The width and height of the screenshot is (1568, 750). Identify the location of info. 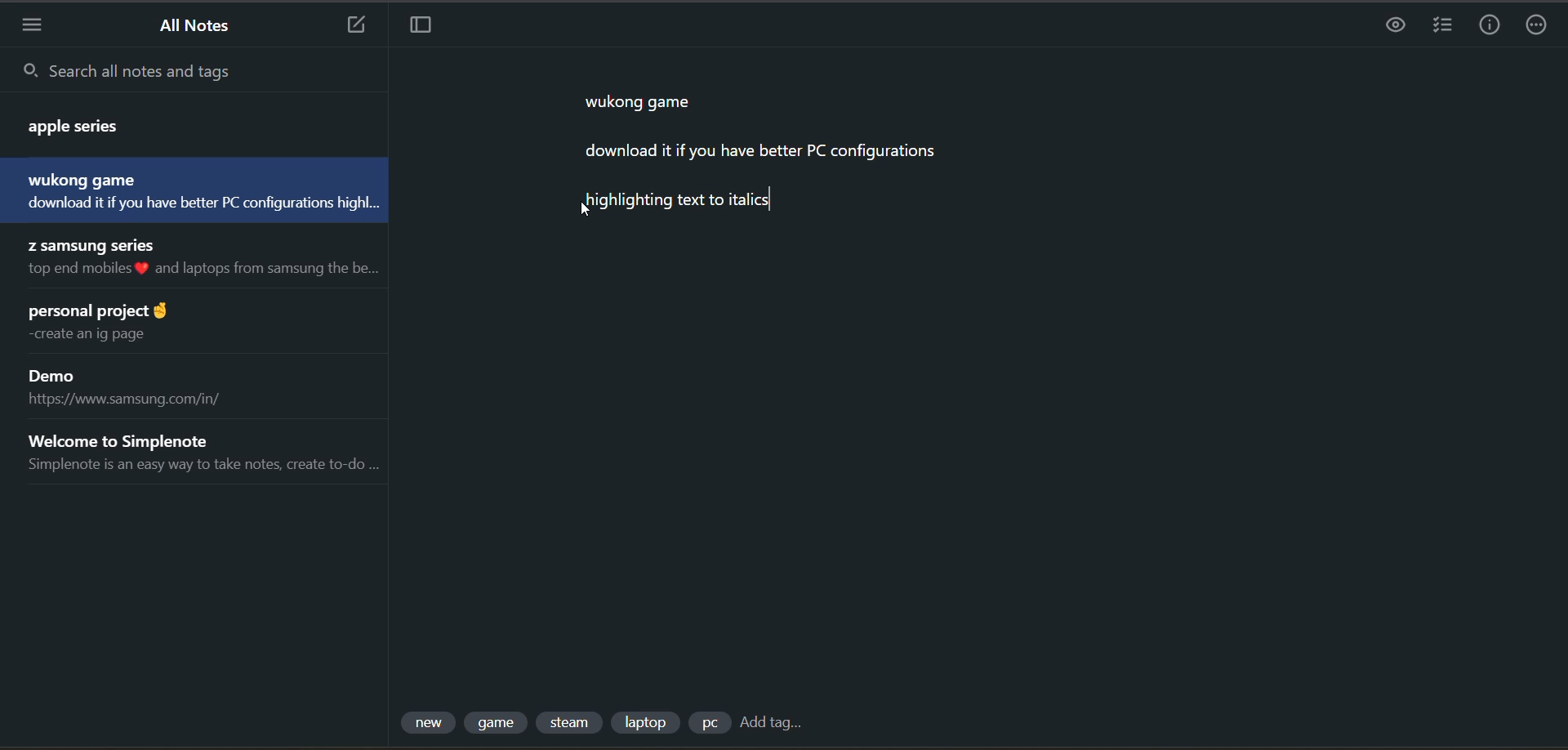
(1489, 26).